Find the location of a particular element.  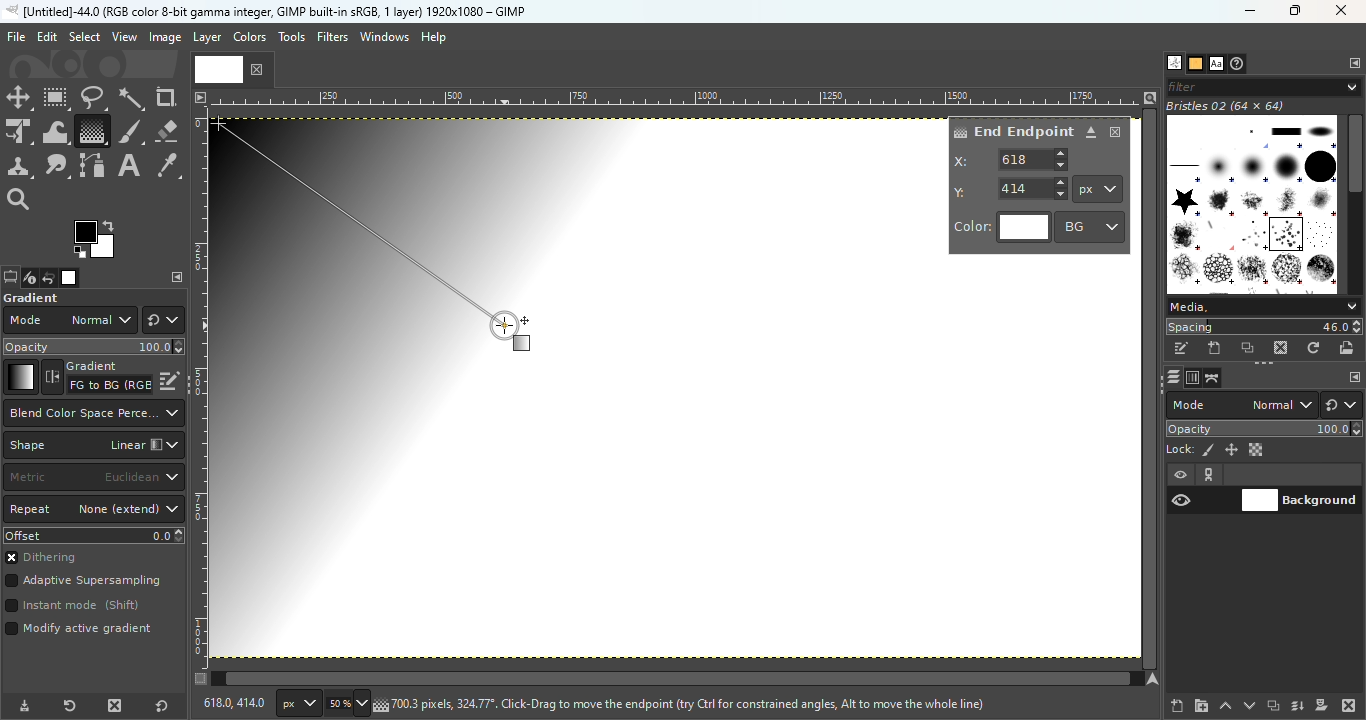

Colors is located at coordinates (248, 36).